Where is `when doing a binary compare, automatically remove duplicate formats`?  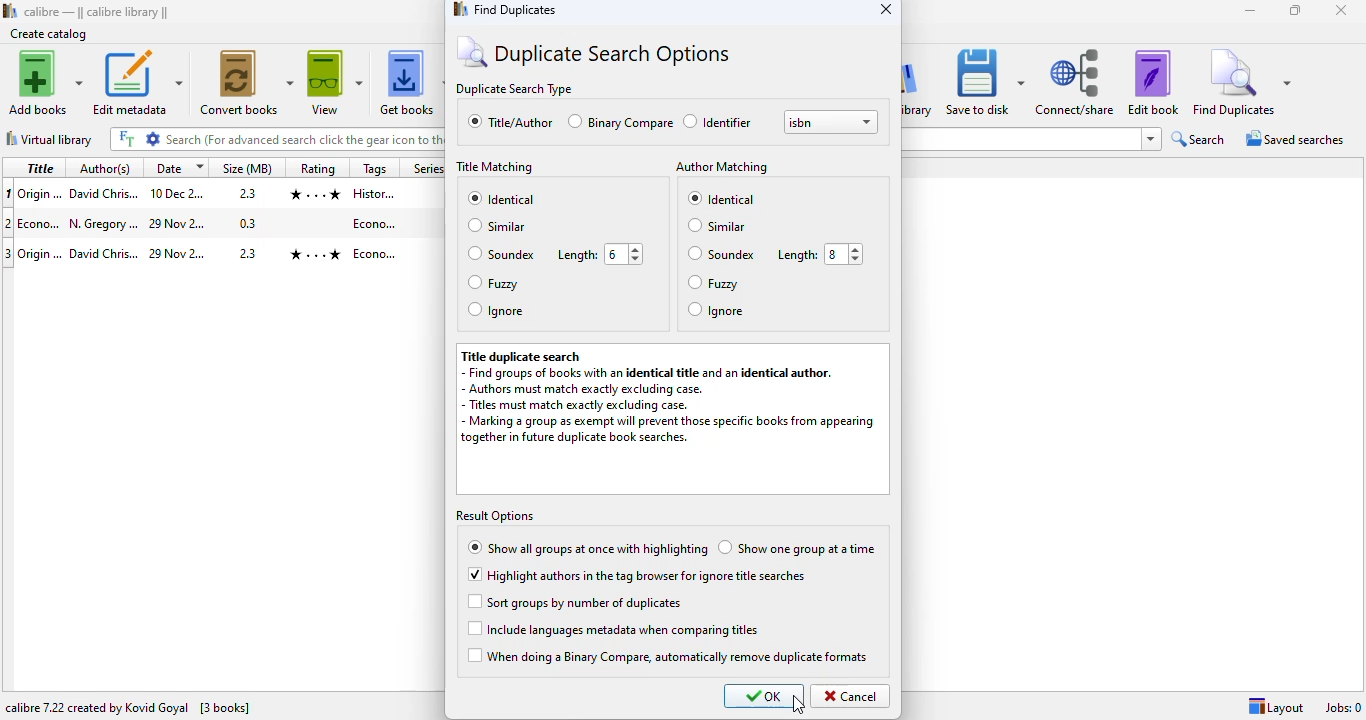 when doing a binary compare, automatically remove duplicate formats is located at coordinates (669, 655).